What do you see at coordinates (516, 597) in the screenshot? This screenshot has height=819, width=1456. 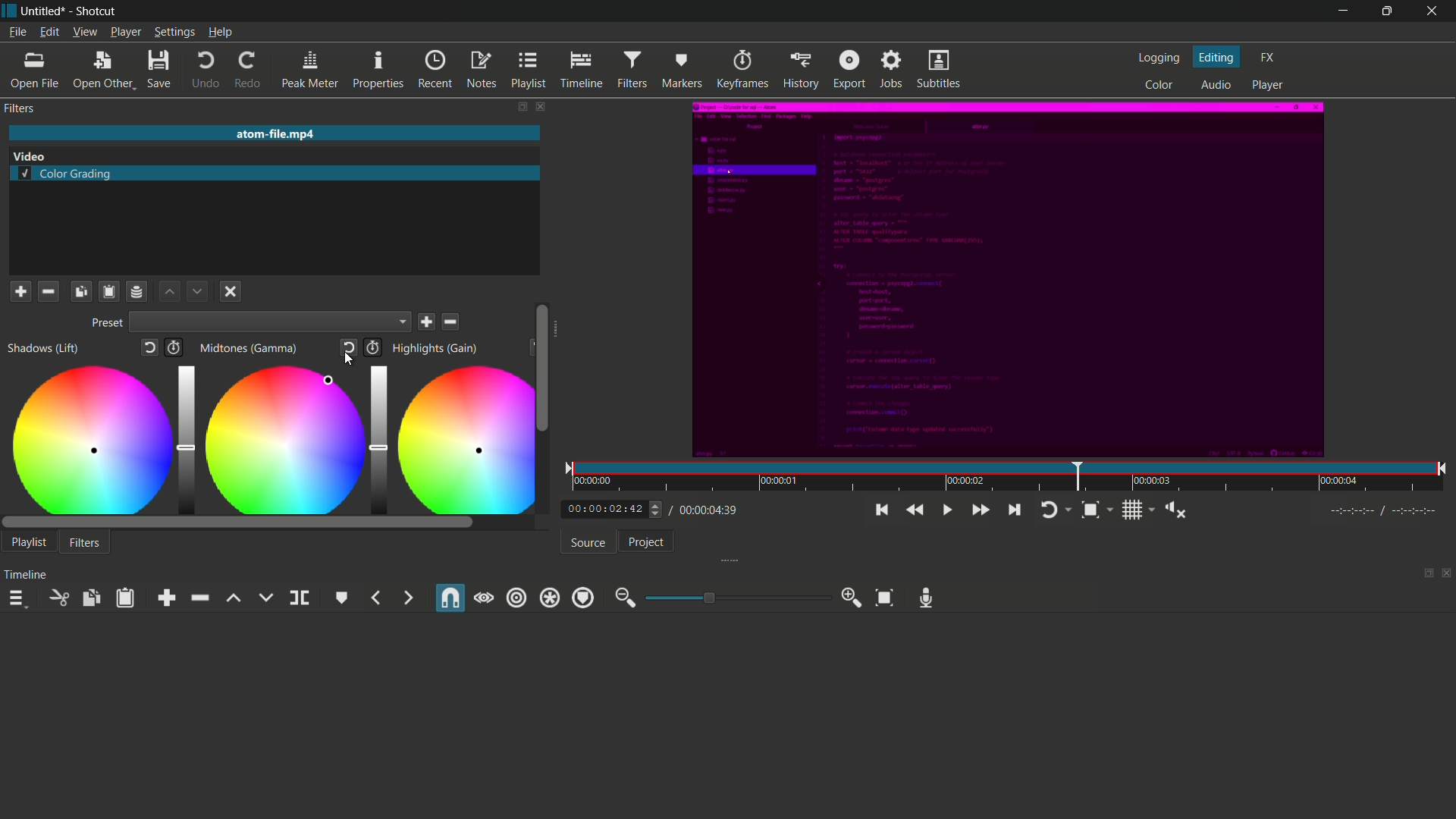 I see `ripple` at bounding box center [516, 597].